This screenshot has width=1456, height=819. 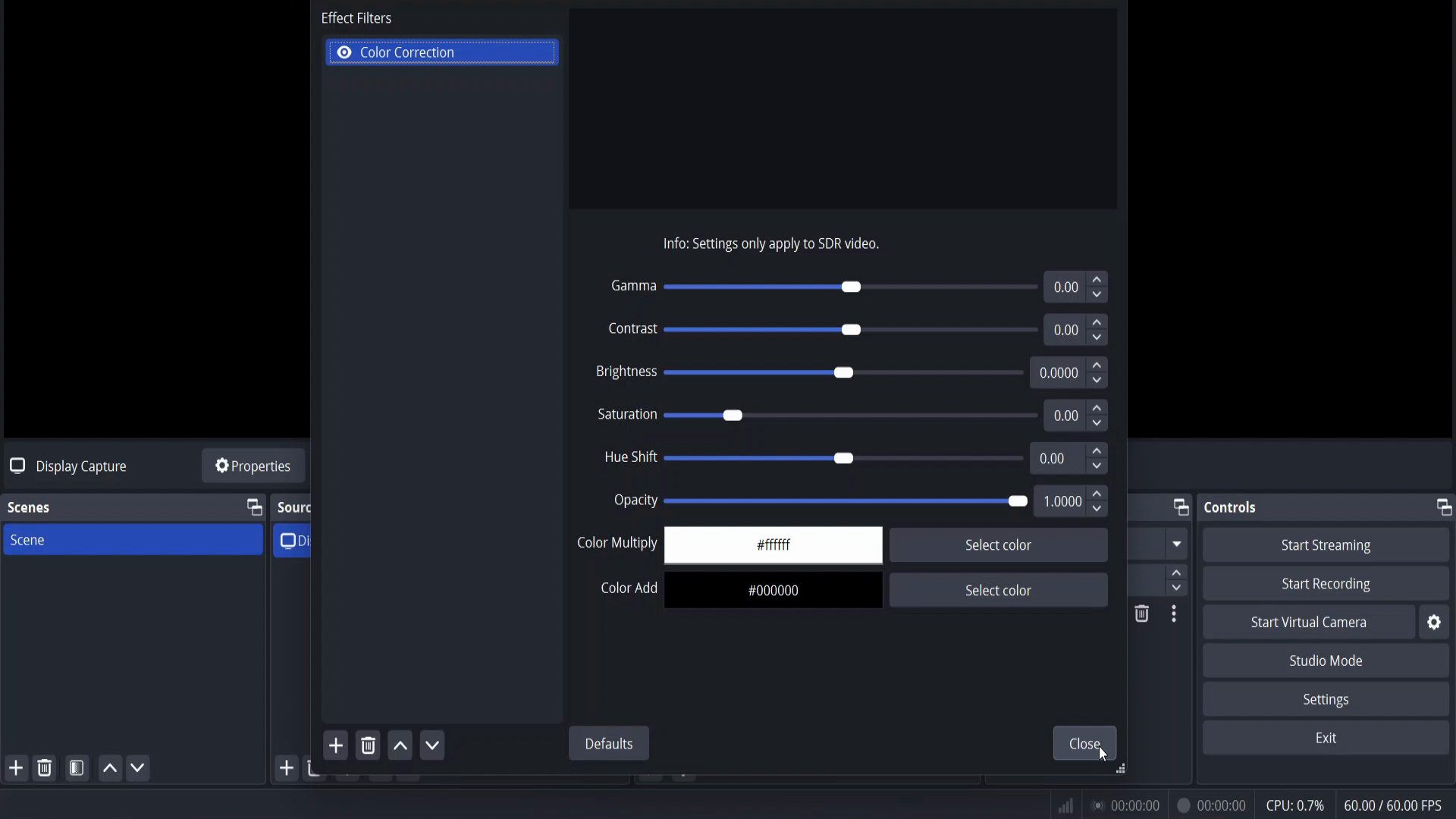 I want to click on open scene filter, so click(x=78, y=770).